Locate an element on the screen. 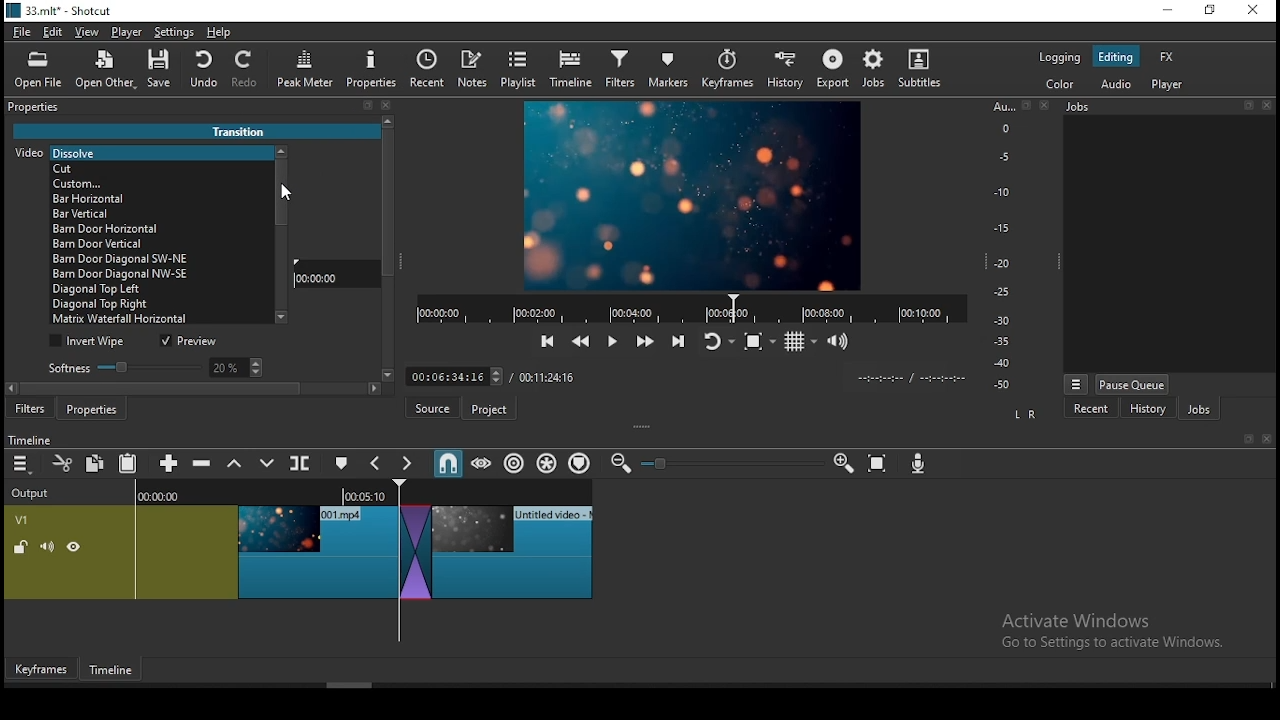  Transition is located at coordinates (246, 129).